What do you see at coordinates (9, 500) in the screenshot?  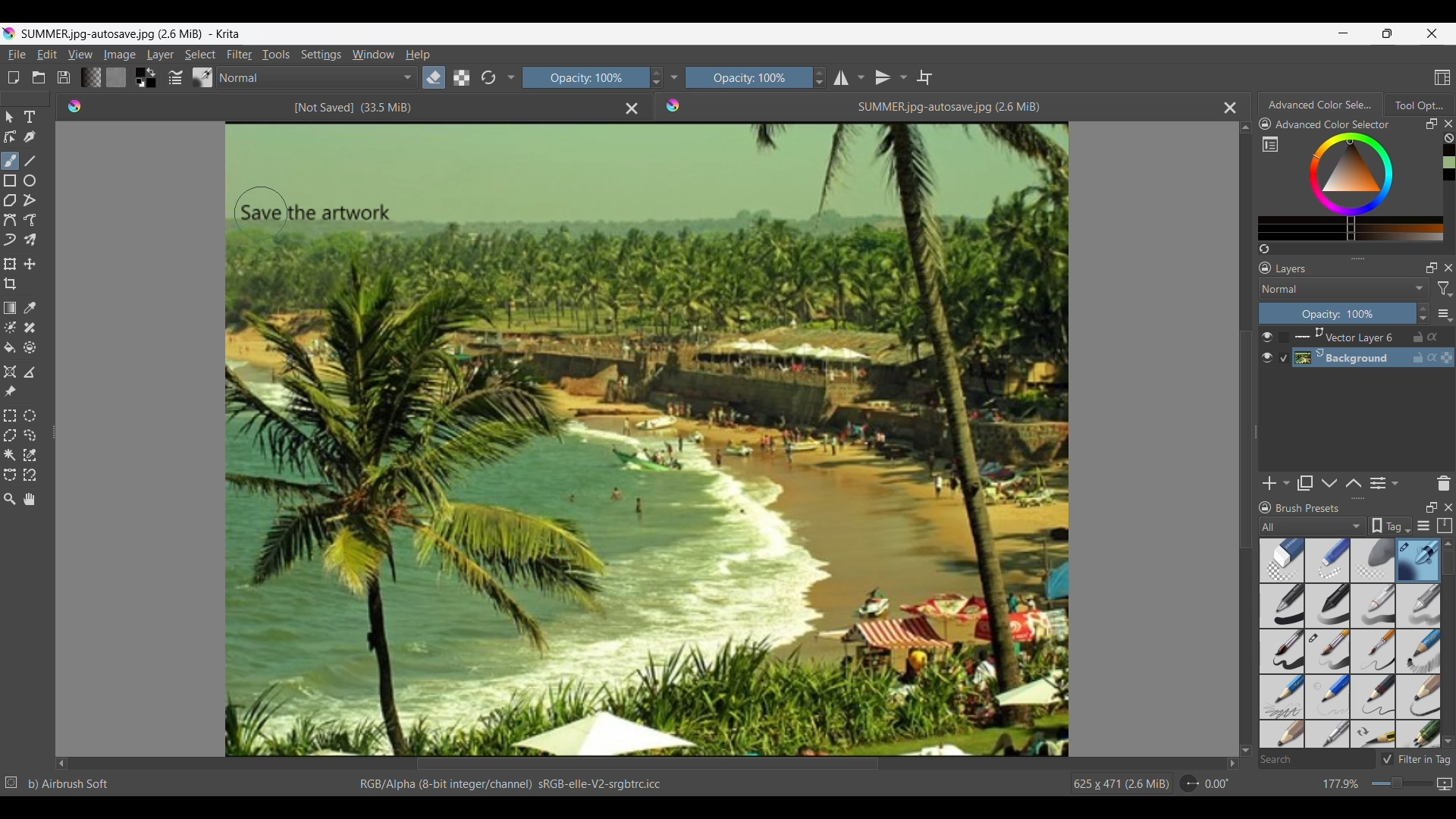 I see `Zoom tool` at bounding box center [9, 500].